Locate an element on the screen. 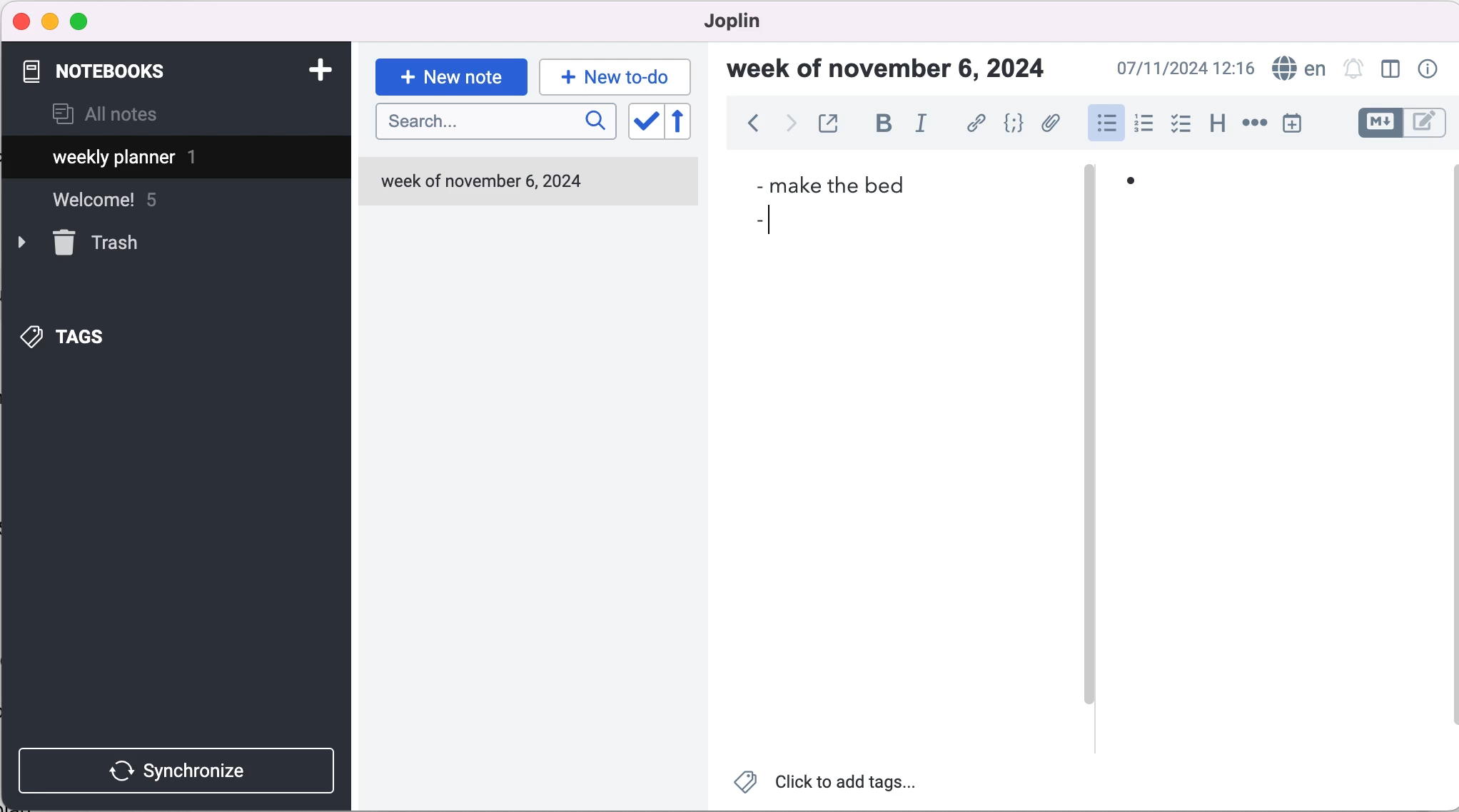 Image resolution: width=1459 pixels, height=812 pixels. welcome! 5 is located at coordinates (123, 206).